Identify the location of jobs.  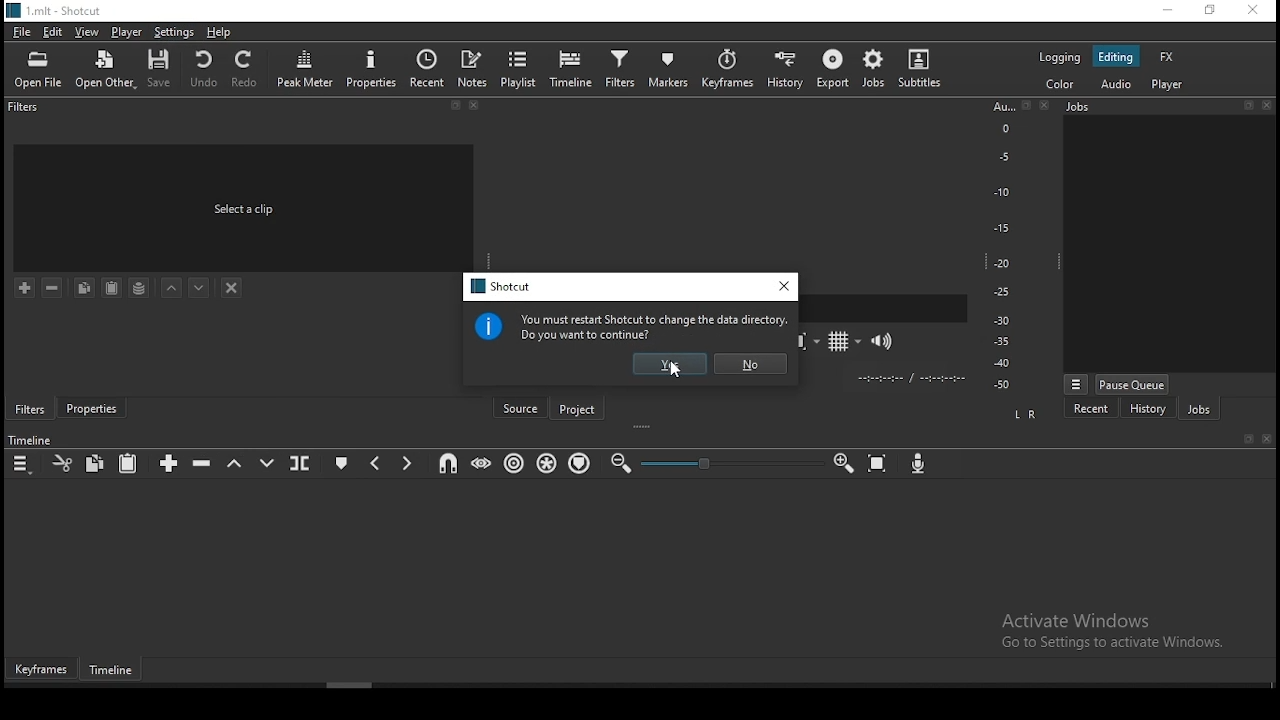
(872, 69).